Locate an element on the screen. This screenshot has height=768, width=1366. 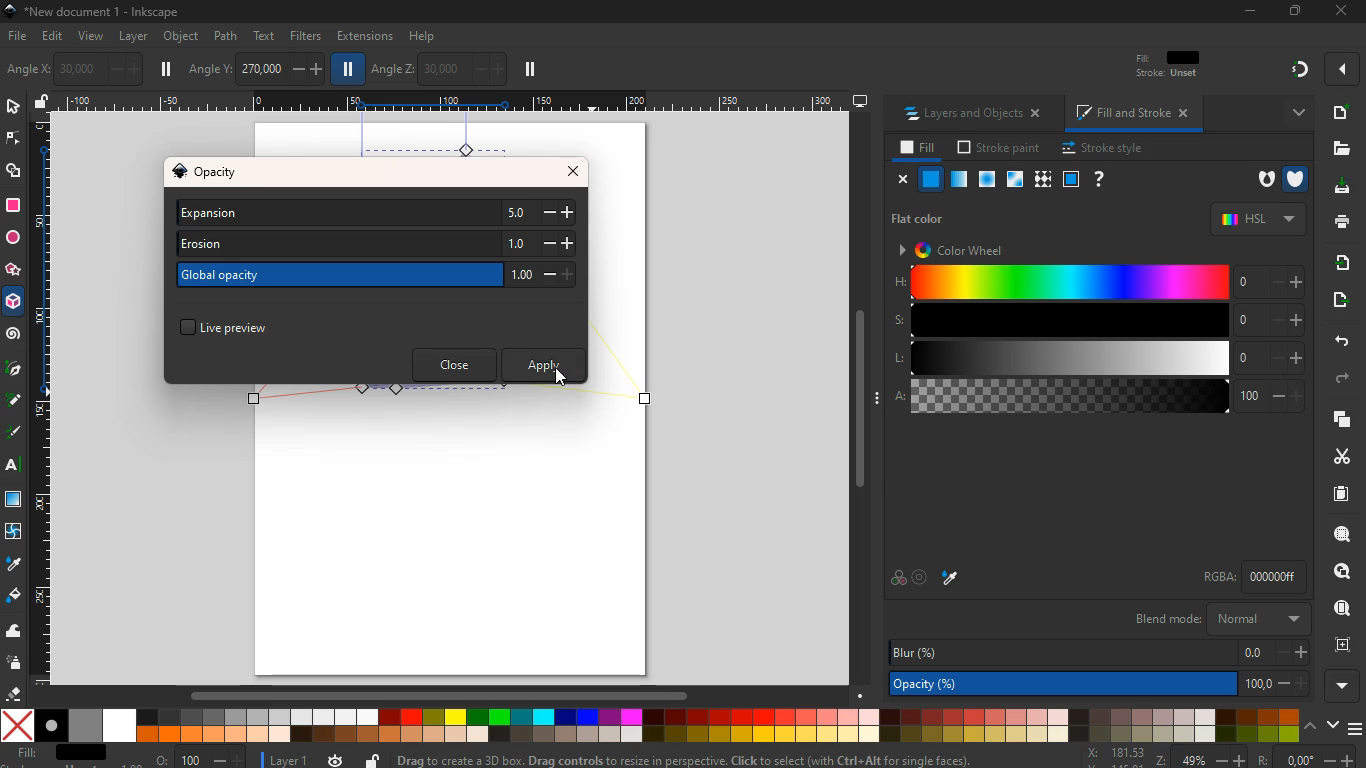
Scale is located at coordinates (447, 101).